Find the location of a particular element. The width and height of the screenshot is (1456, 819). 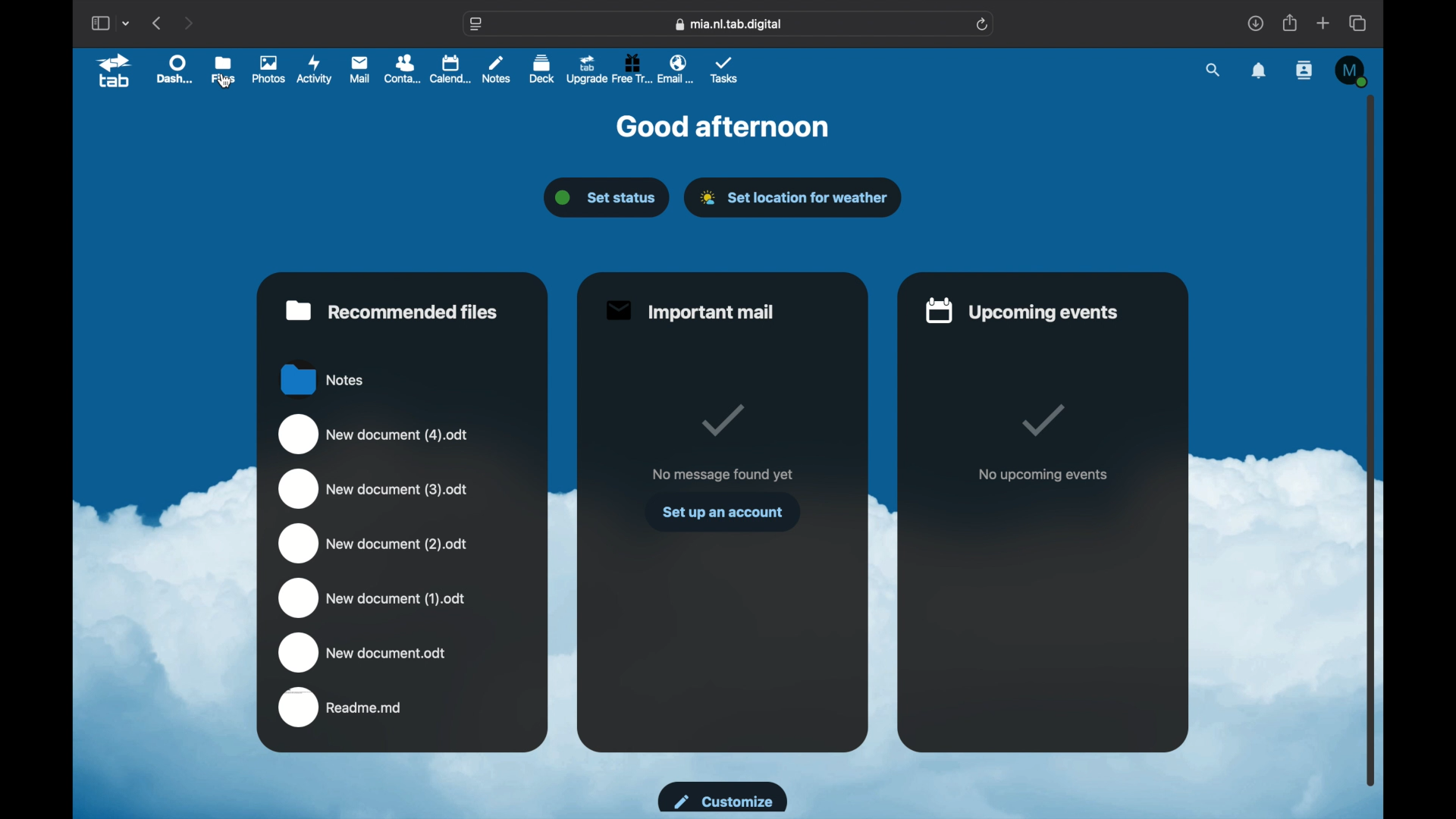

upgrade is located at coordinates (586, 69).